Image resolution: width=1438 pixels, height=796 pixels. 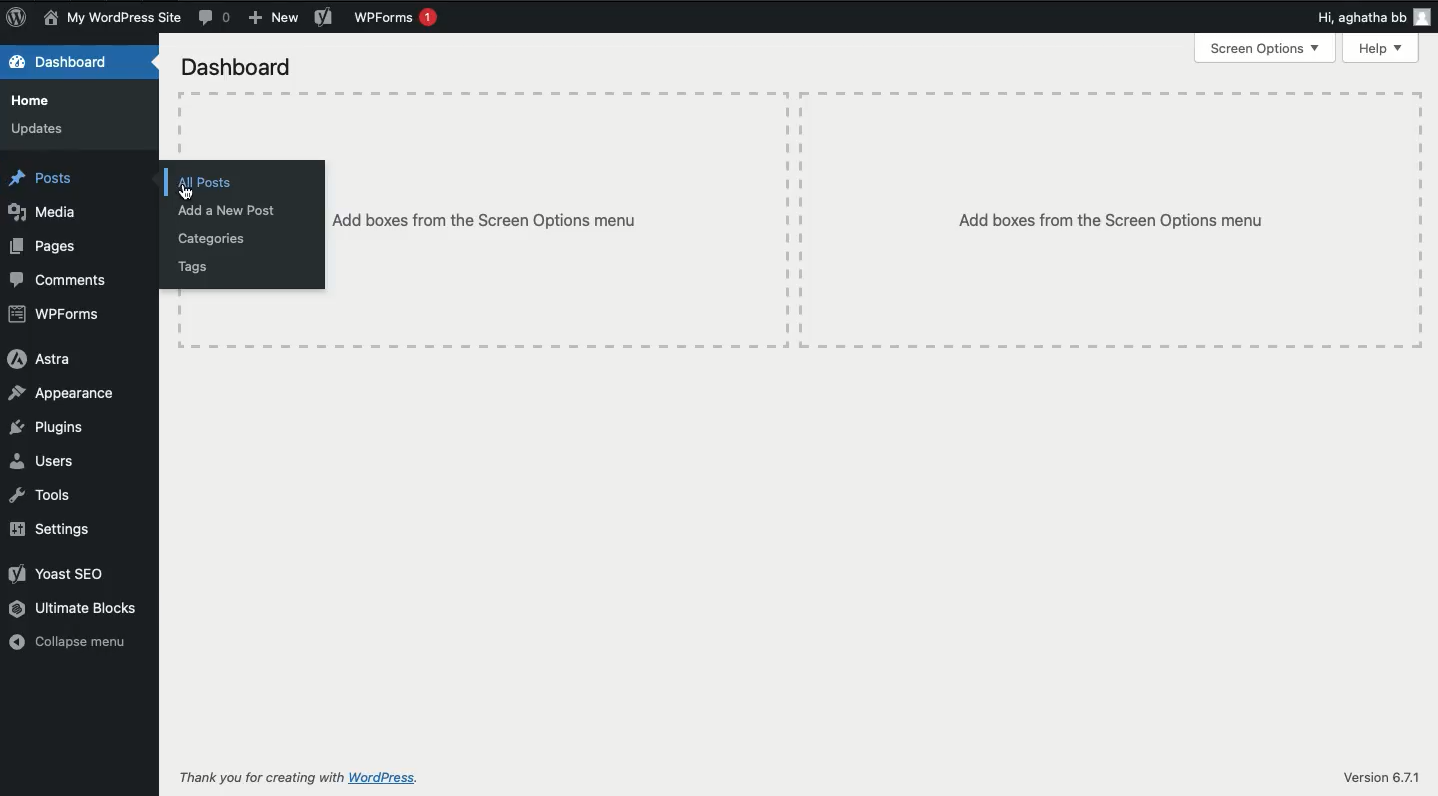 What do you see at coordinates (1380, 49) in the screenshot?
I see `Help` at bounding box center [1380, 49].